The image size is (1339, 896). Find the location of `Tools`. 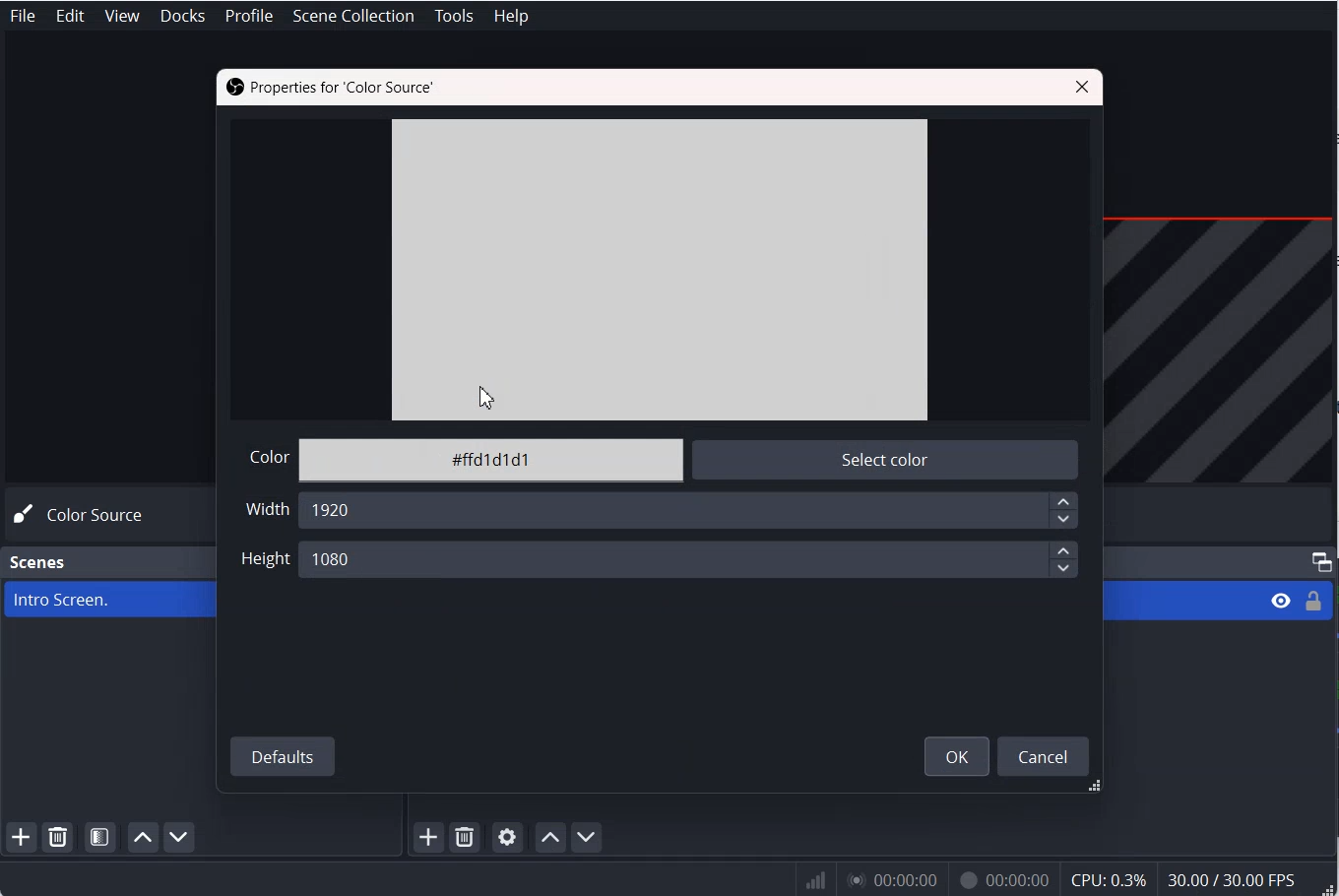

Tools is located at coordinates (454, 16).